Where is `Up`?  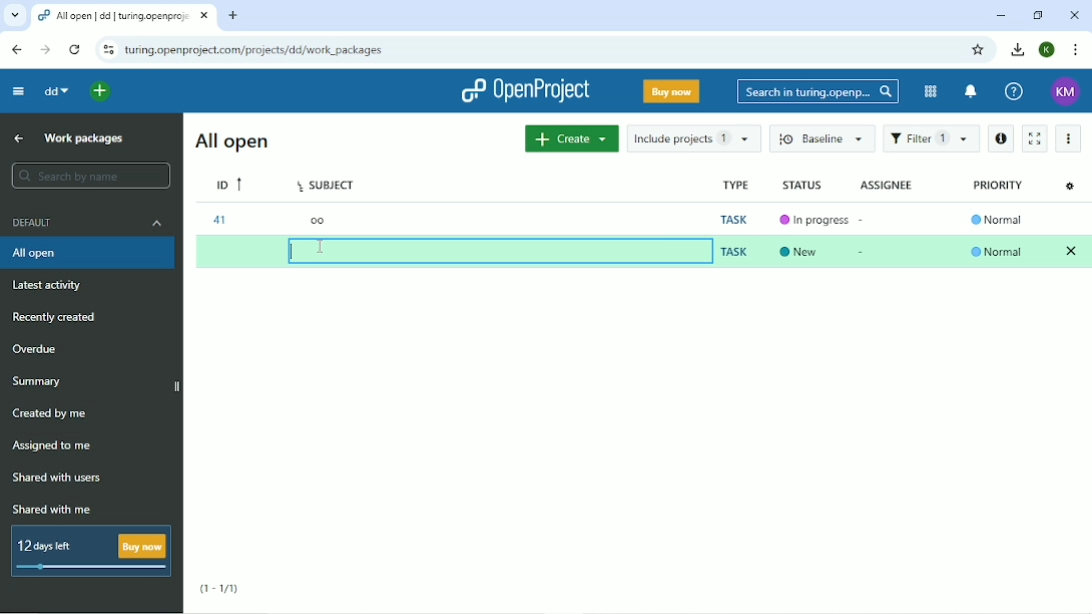 Up is located at coordinates (16, 138).